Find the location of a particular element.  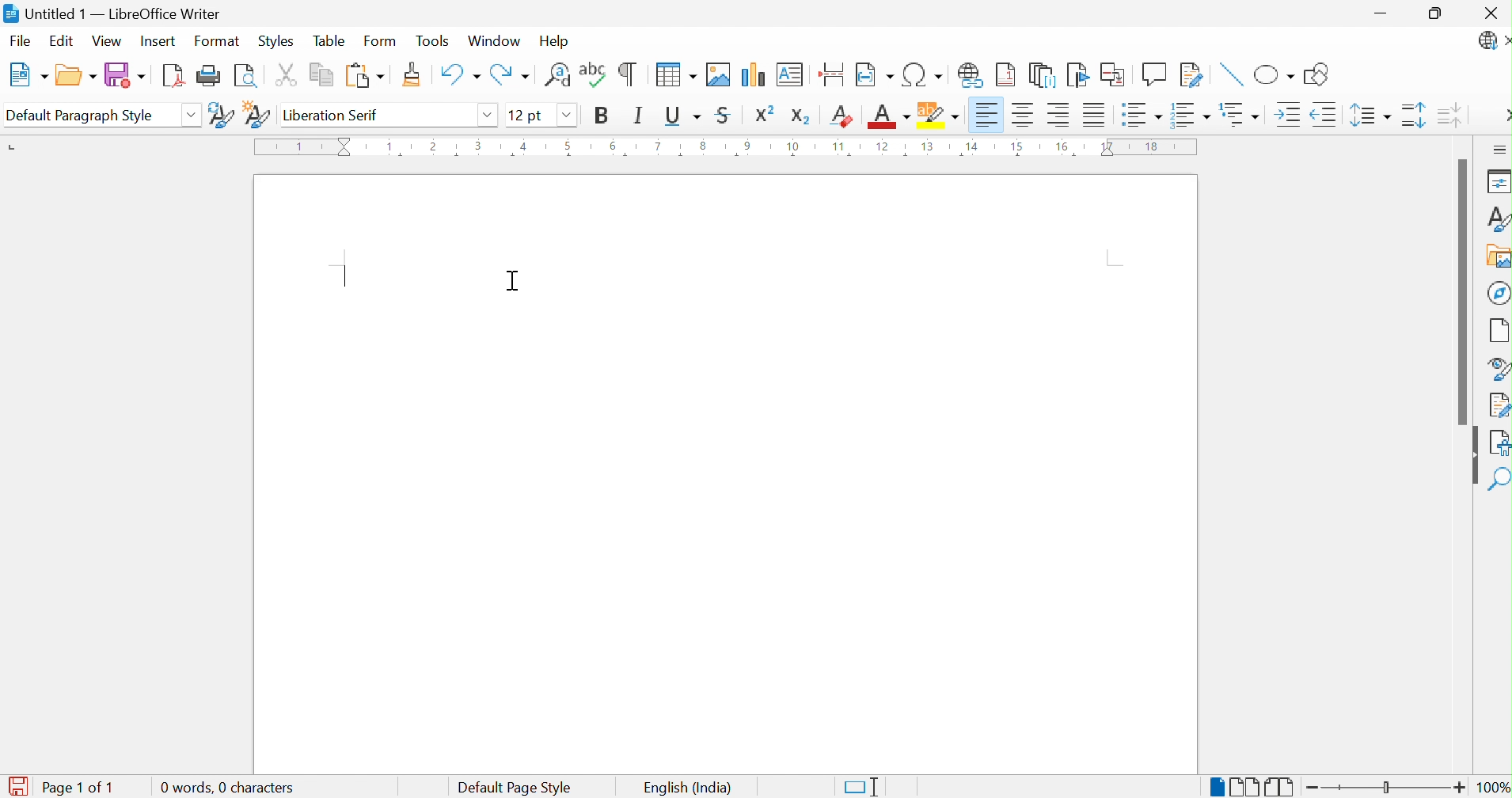

Increase Paragraph Spacing is located at coordinates (1413, 118).